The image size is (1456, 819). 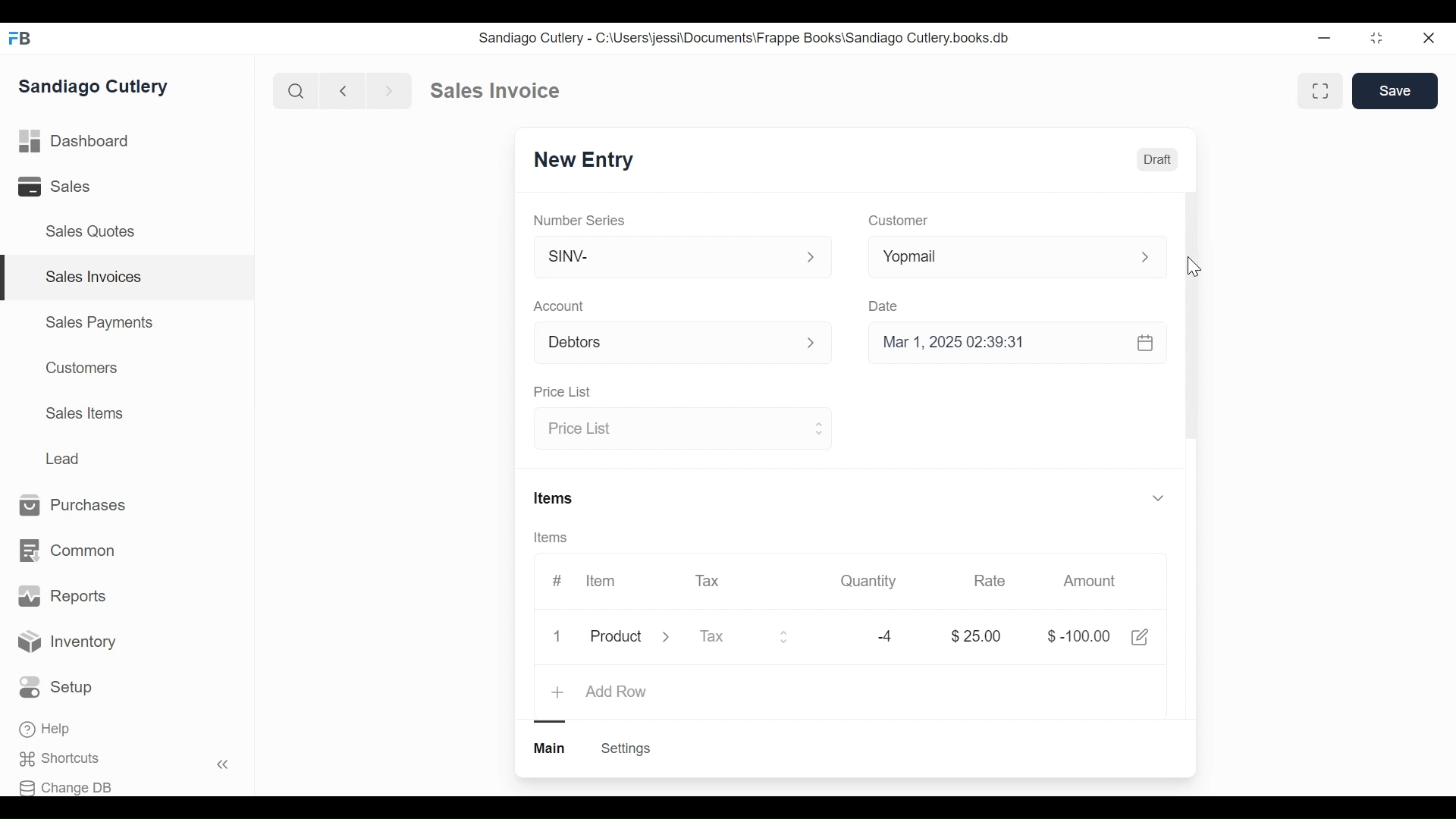 I want to click on $25.00, so click(x=977, y=636).